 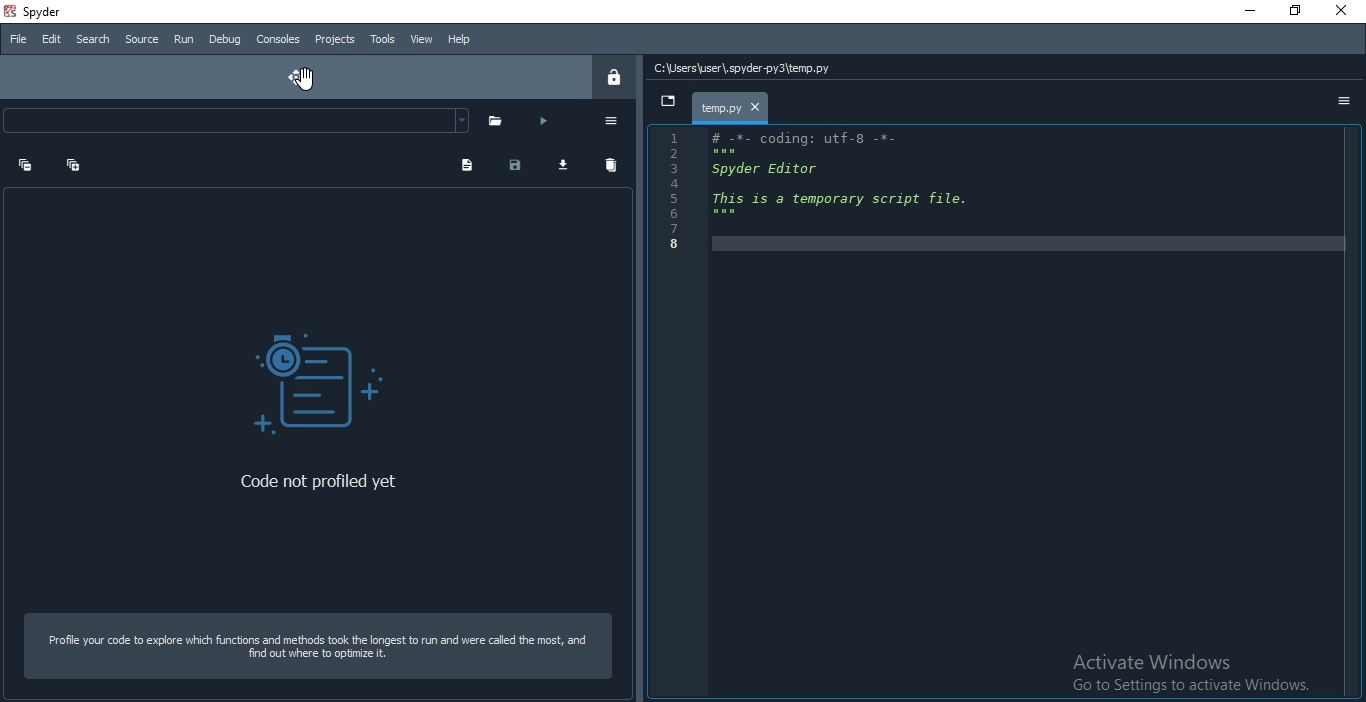 I want to click on cursor on move, so click(x=315, y=81).